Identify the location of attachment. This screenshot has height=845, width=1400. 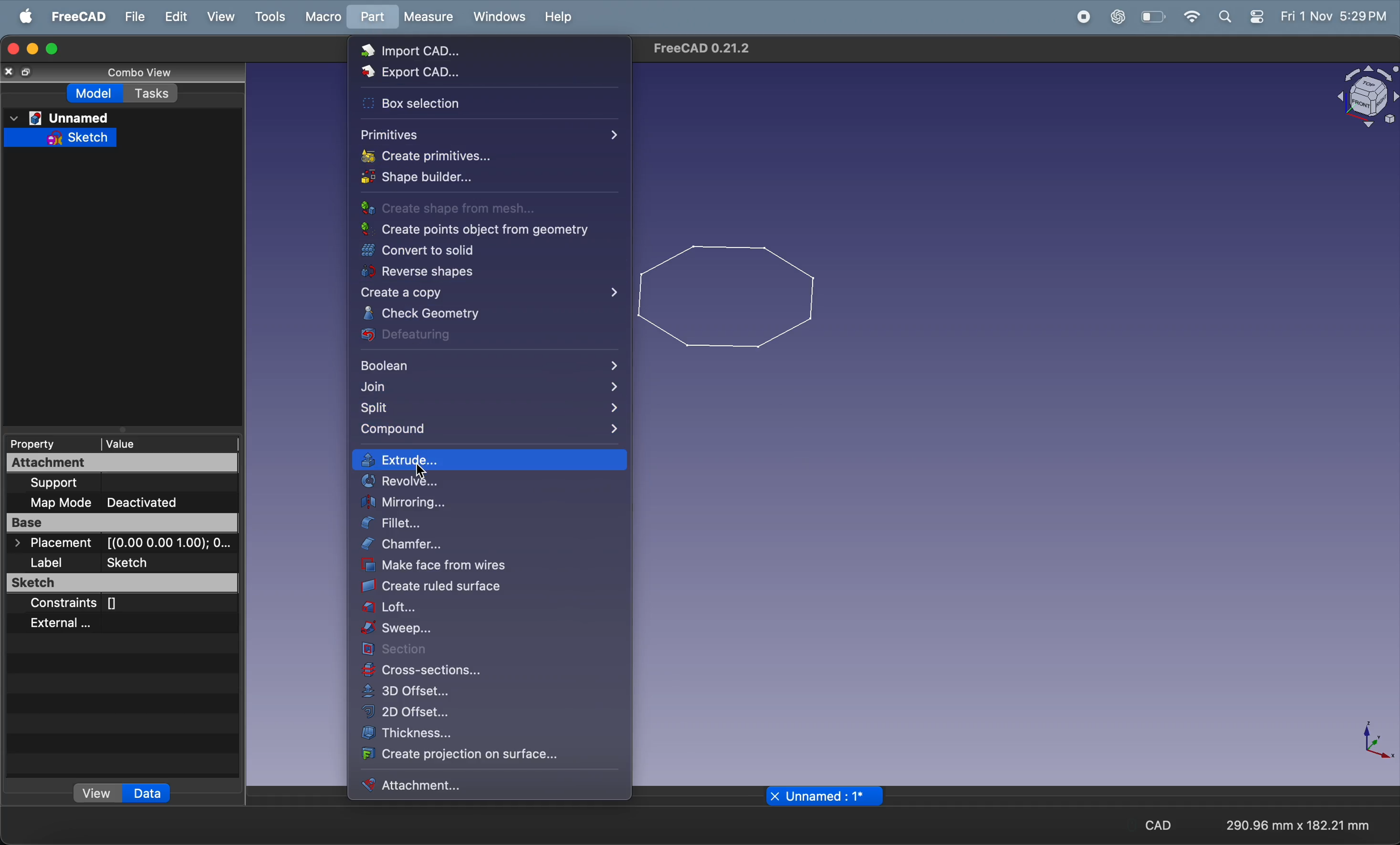
(124, 465).